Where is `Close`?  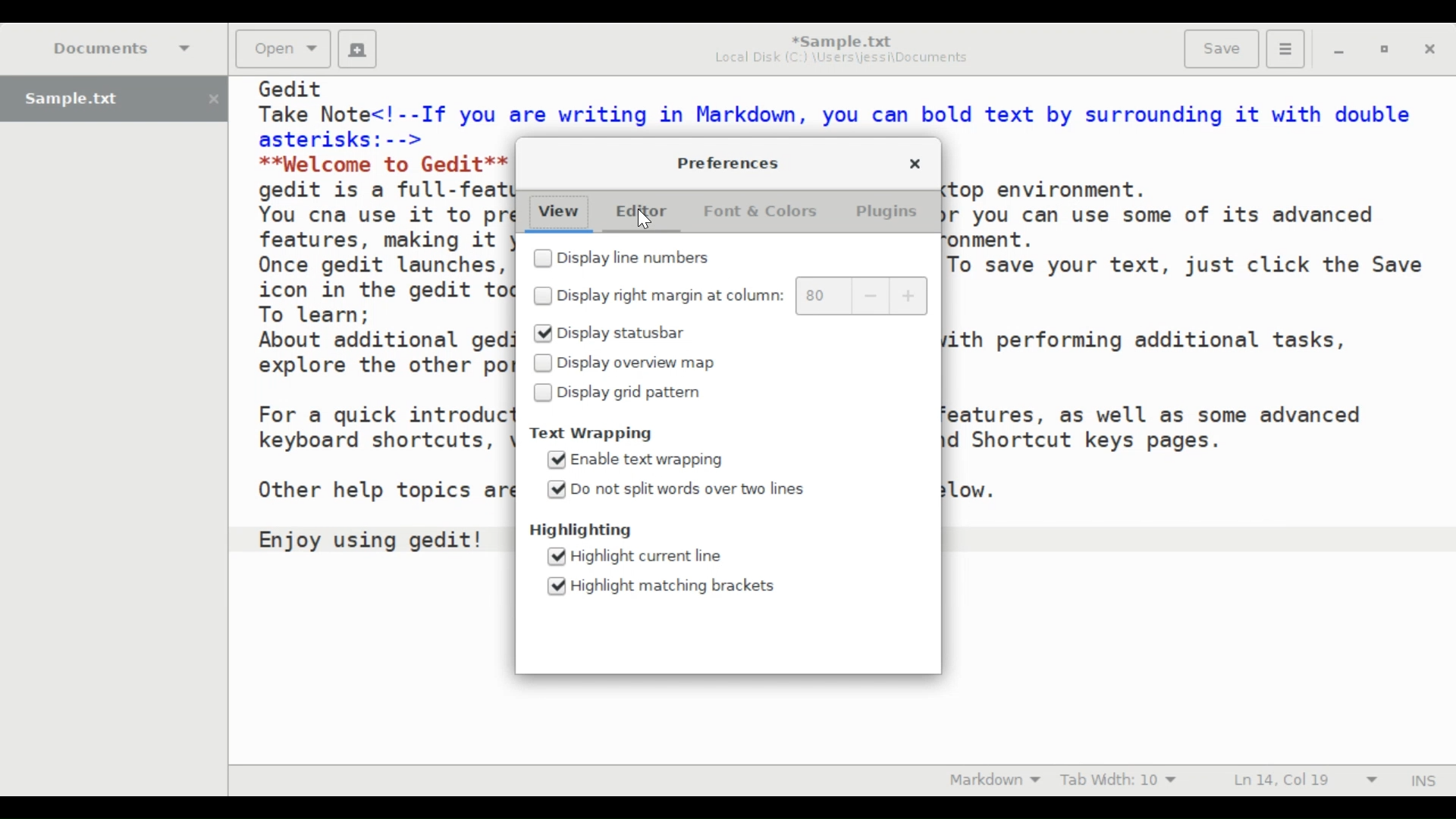 Close is located at coordinates (1430, 50).